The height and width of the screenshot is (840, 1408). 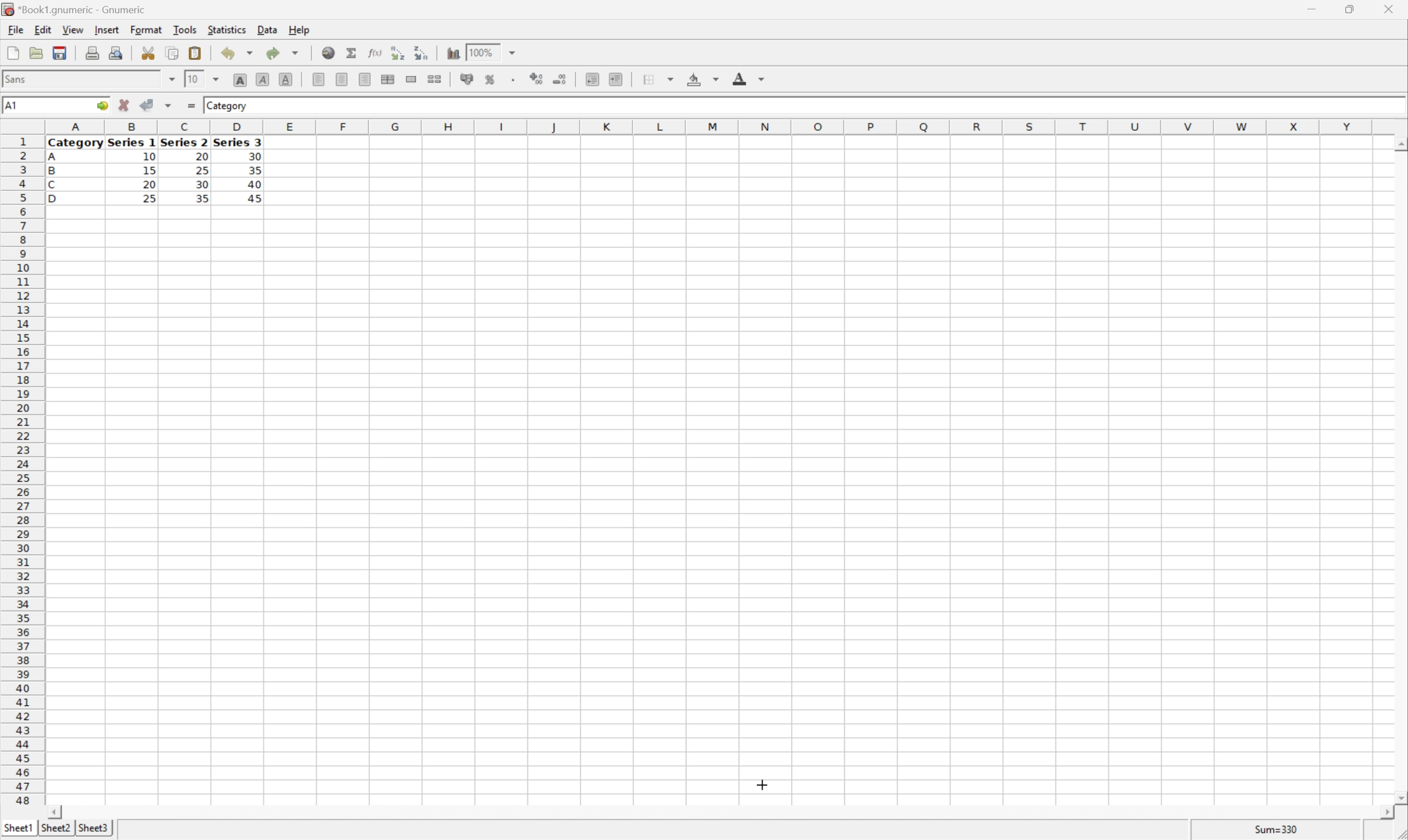 What do you see at coordinates (501, 77) in the screenshot?
I see `Insert a chart` at bounding box center [501, 77].